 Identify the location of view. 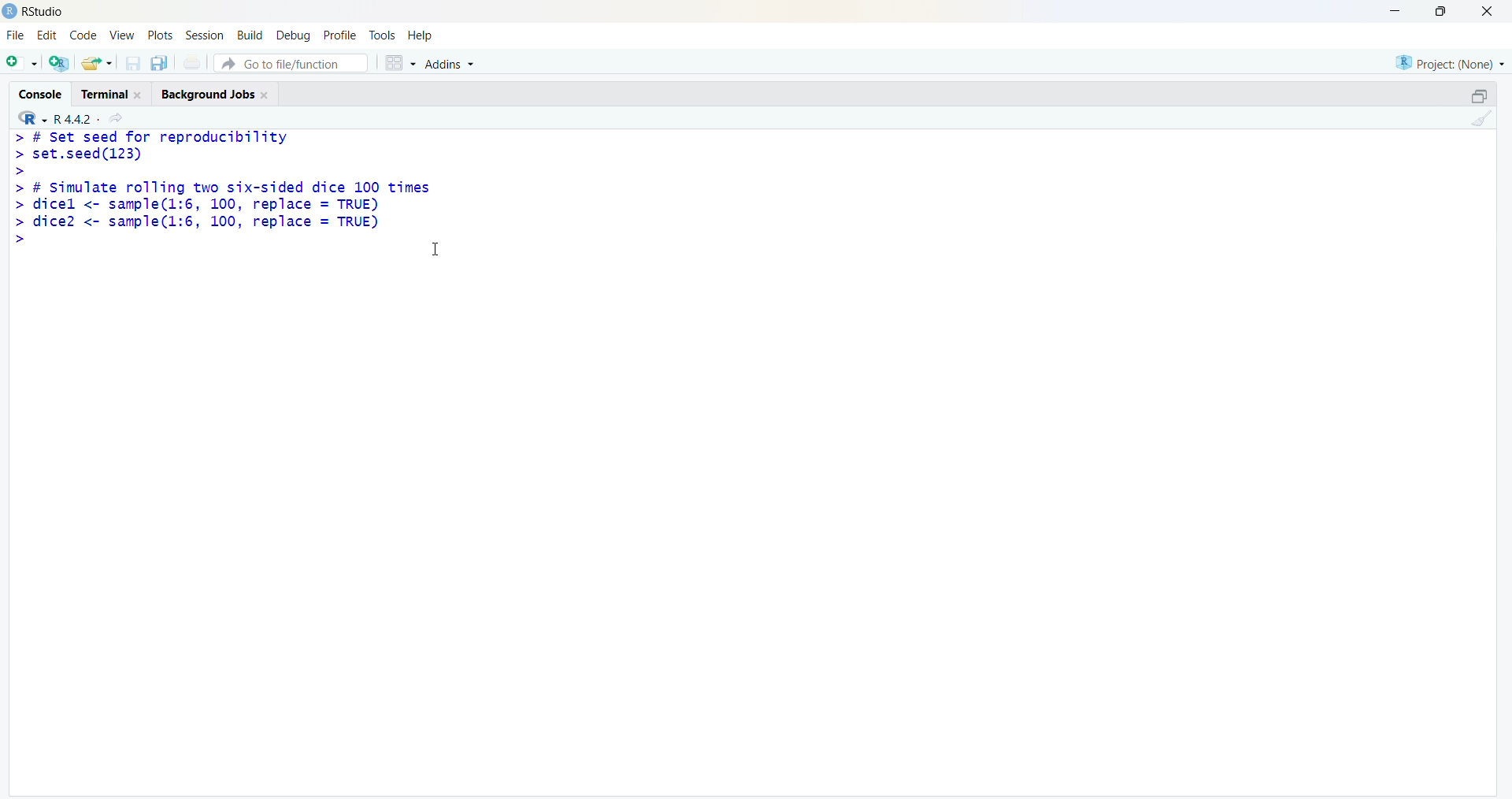
(122, 35).